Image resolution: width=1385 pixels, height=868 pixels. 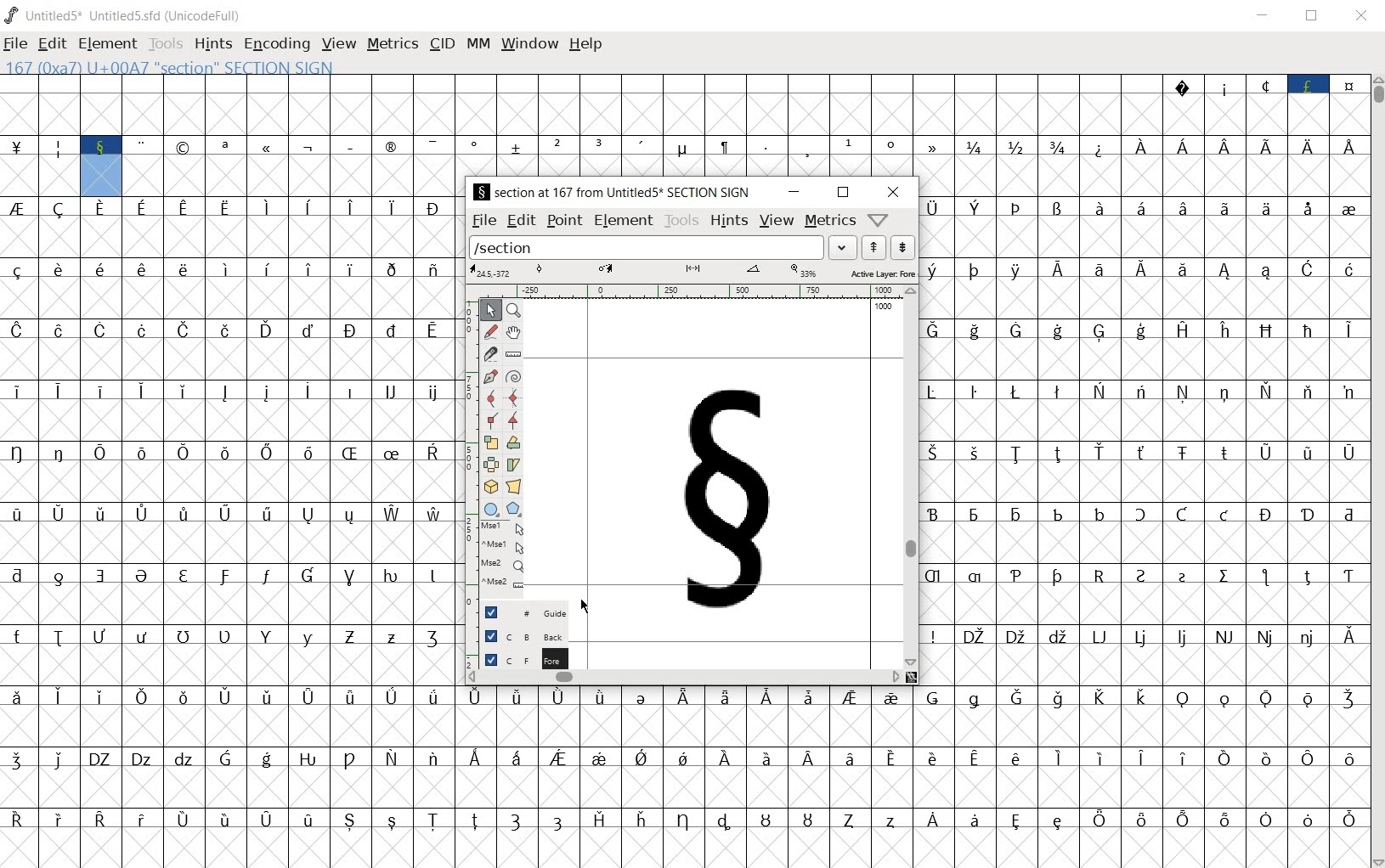 What do you see at coordinates (442, 44) in the screenshot?
I see `CID` at bounding box center [442, 44].